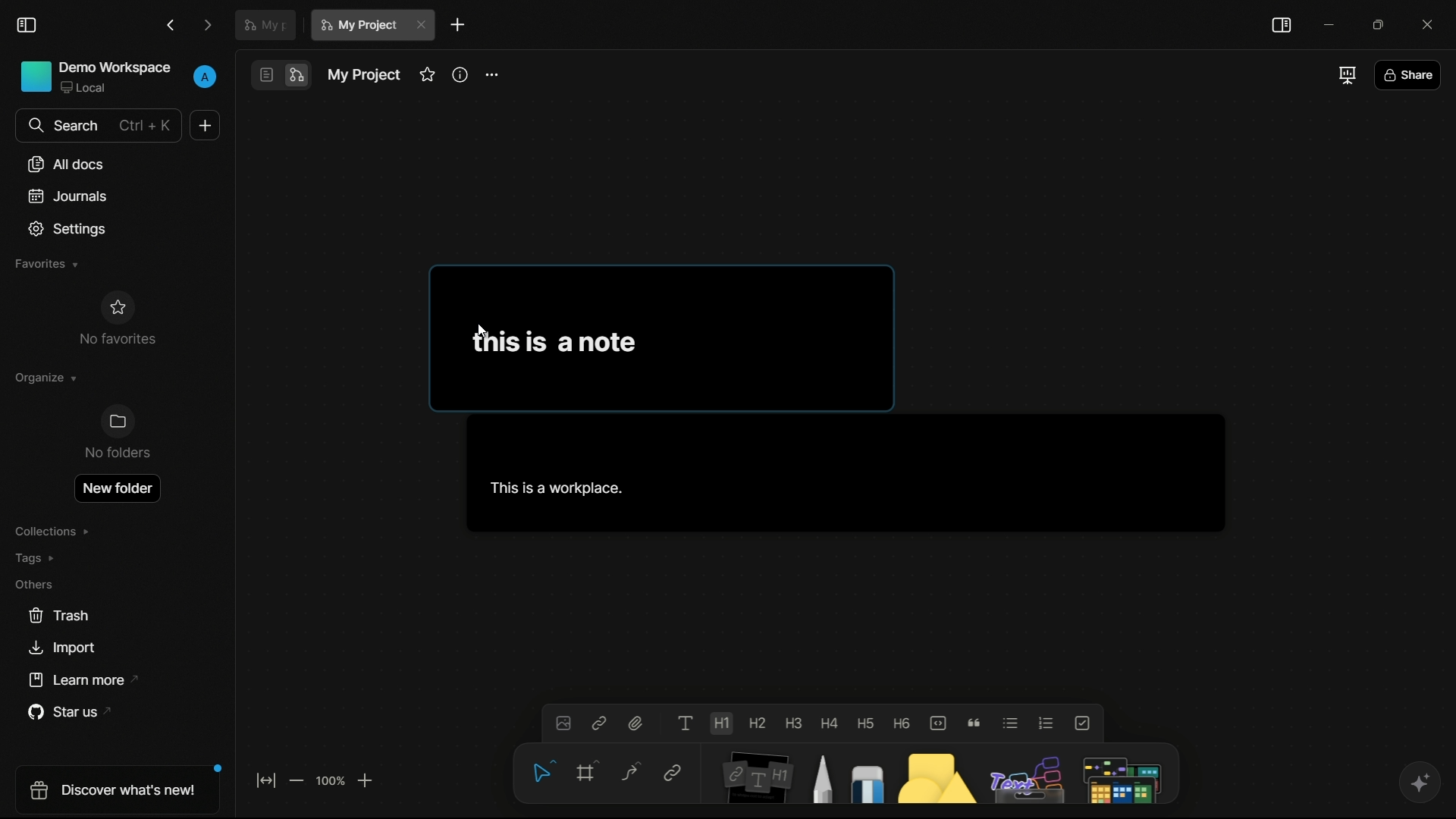 The height and width of the screenshot is (819, 1456). What do you see at coordinates (1046, 723) in the screenshot?
I see `numbered list` at bounding box center [1046, 723].